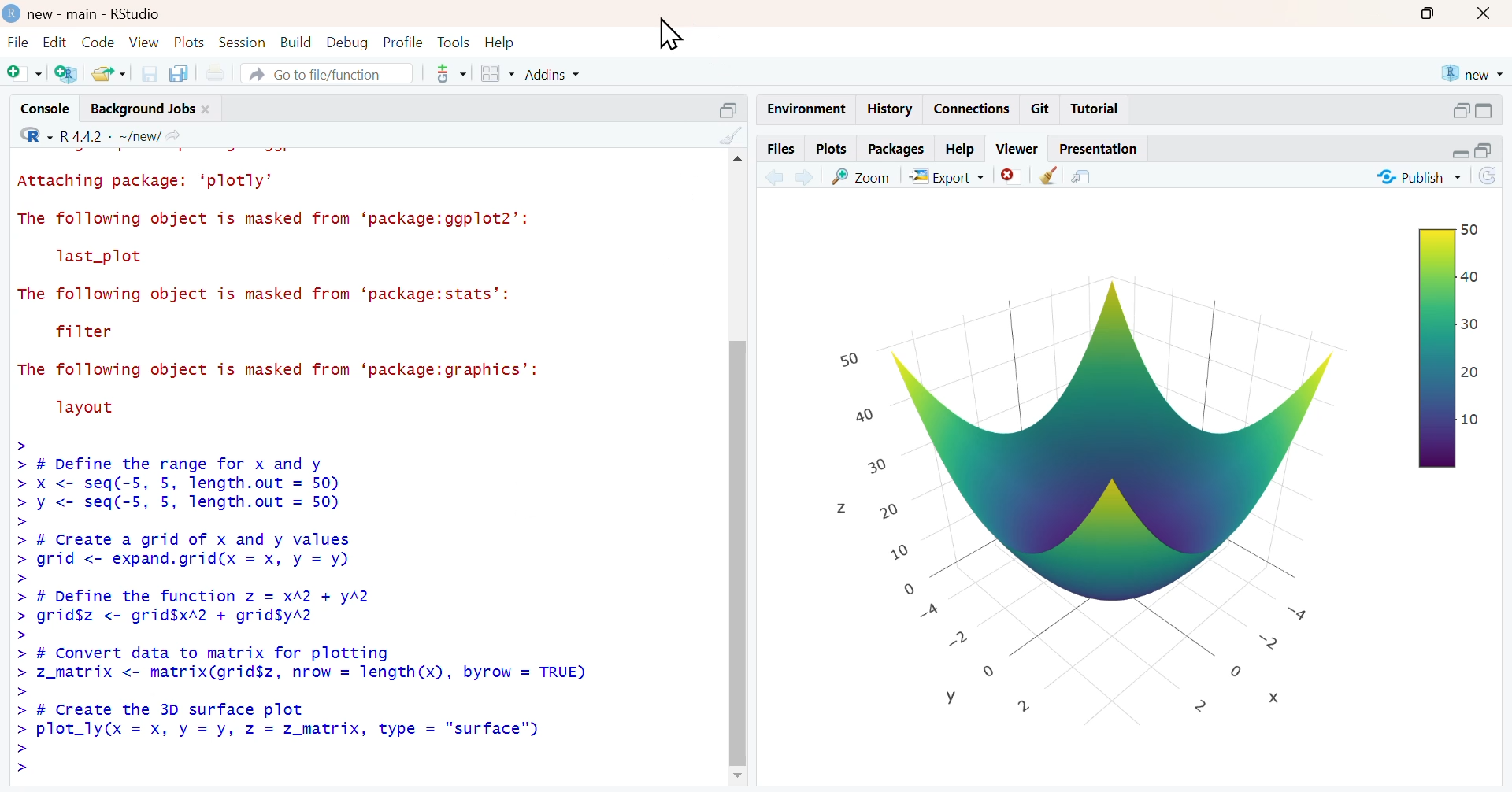 This screenshot has height=792, width=1512. Describe the element at coordinates (37, 105) in the screenshot. I see `console` at that location.